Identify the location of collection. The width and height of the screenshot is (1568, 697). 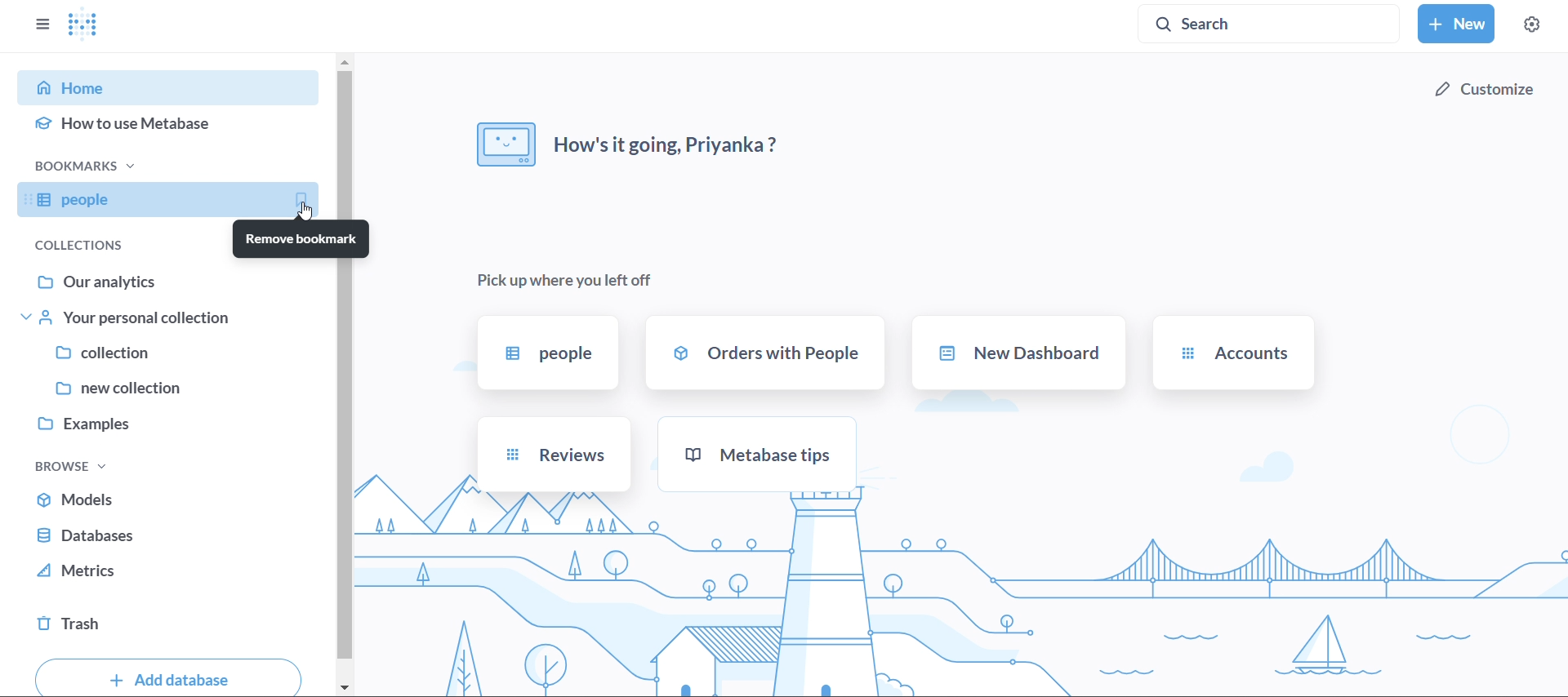
(167, 356).